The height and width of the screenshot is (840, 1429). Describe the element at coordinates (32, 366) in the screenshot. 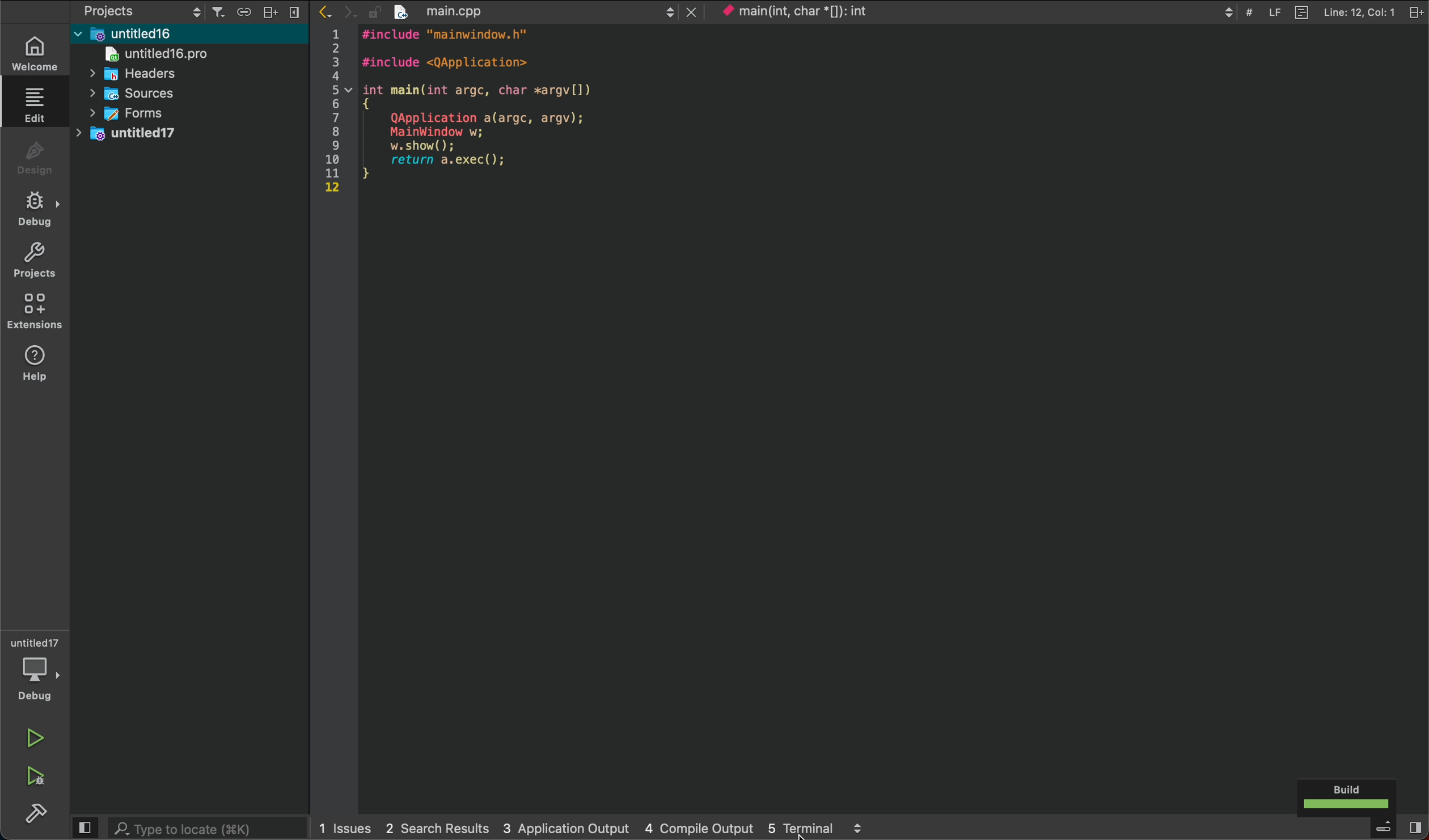

I see `help` at that location.